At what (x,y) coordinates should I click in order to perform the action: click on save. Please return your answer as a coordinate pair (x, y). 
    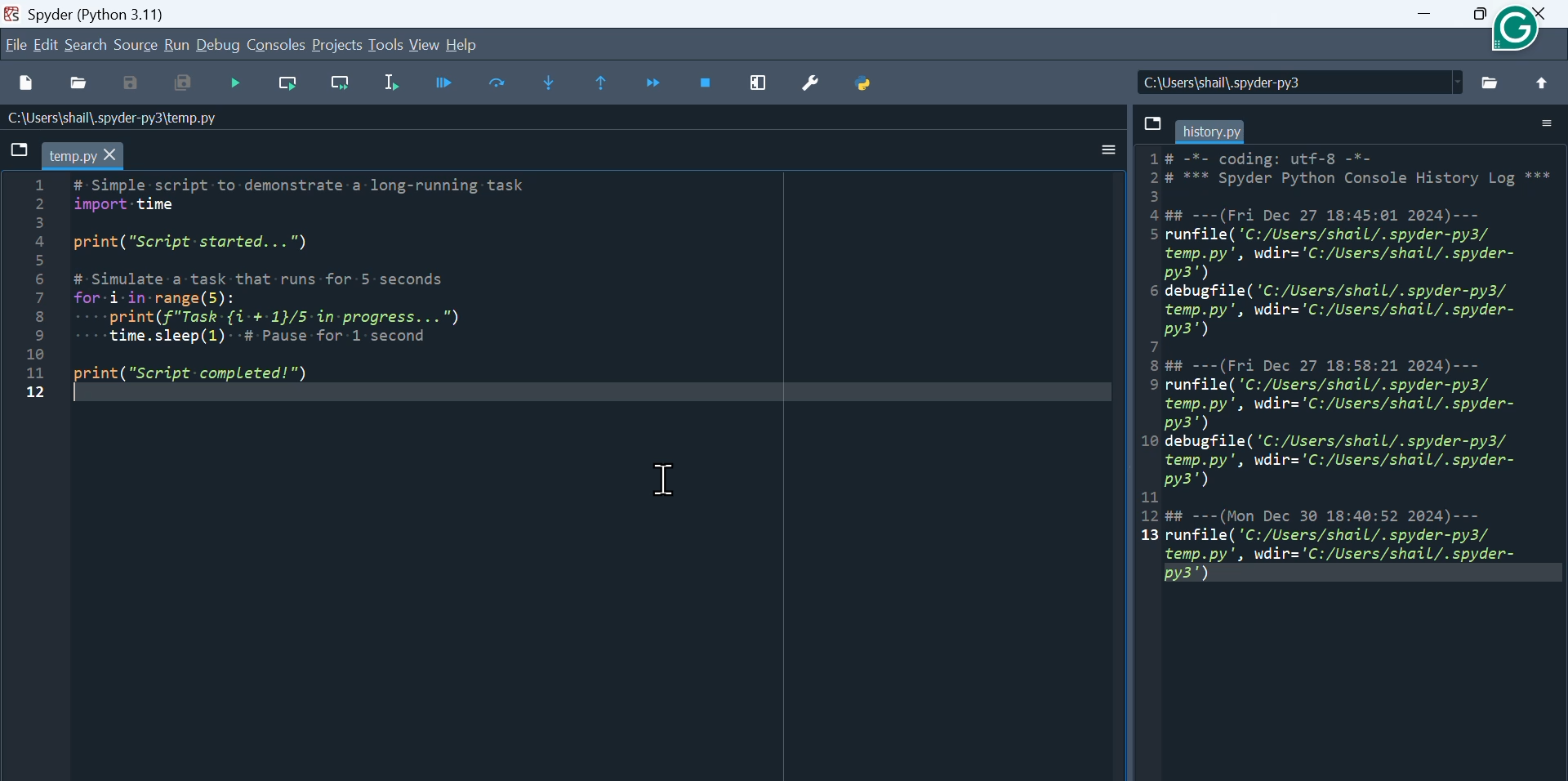
    Looking at the image, I should click on (134, 84).